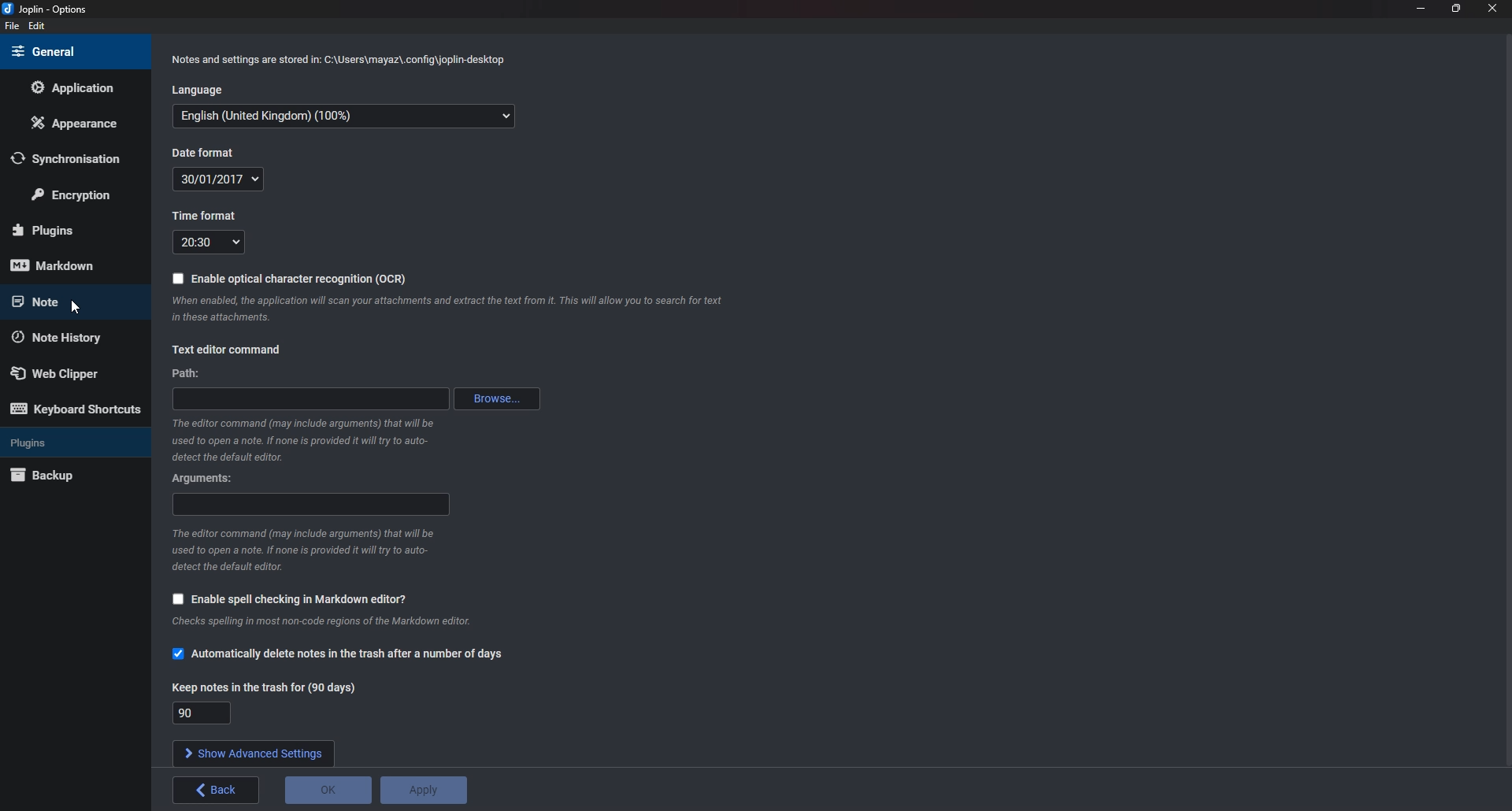 The width and height of the screenshot is (1512, 811). What do you see at coordinates (303, 280) in the screenshot?
I see `Enable O C R` at bounding box center [303, 280].